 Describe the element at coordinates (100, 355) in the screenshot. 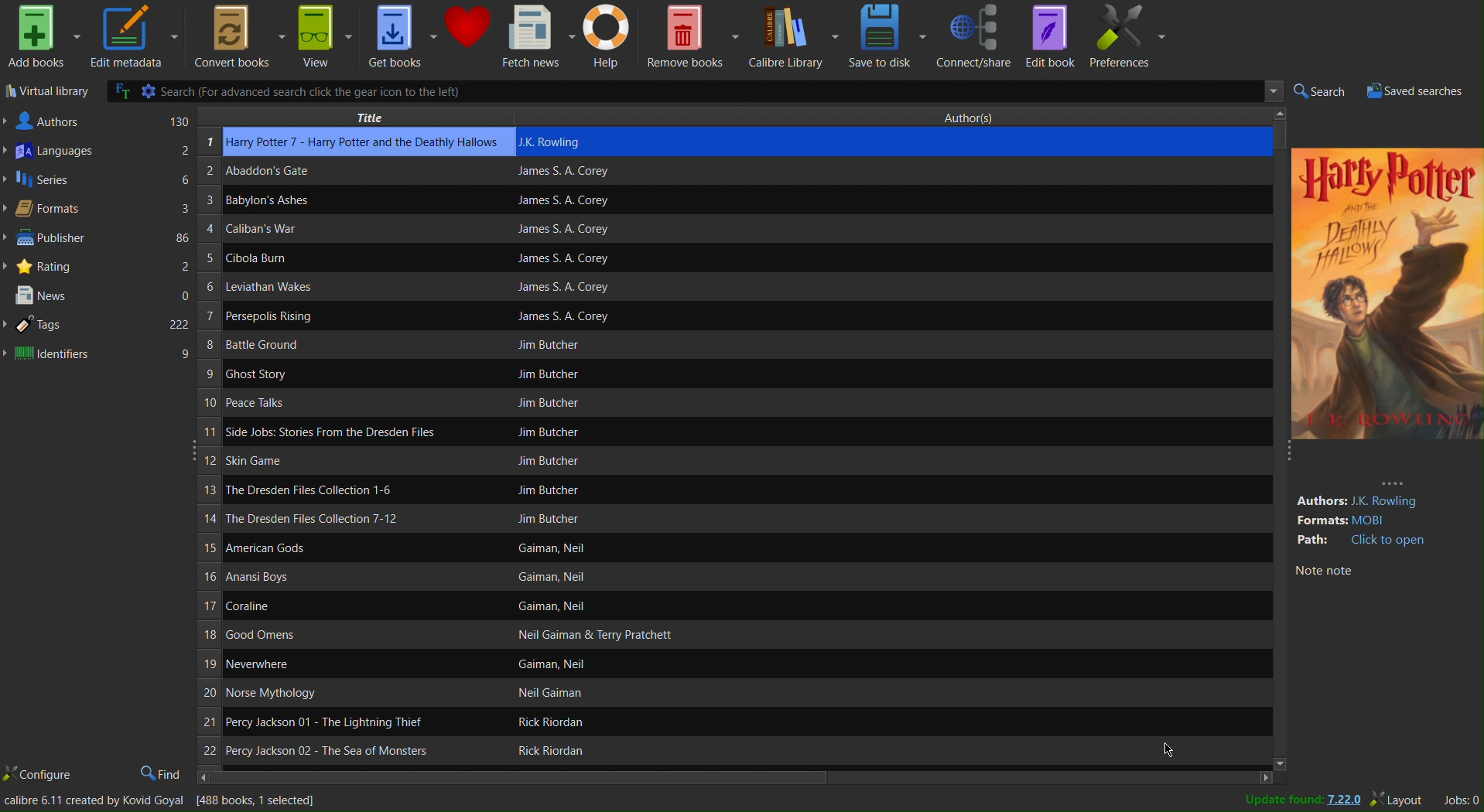

I see `Identifiers` at that location.